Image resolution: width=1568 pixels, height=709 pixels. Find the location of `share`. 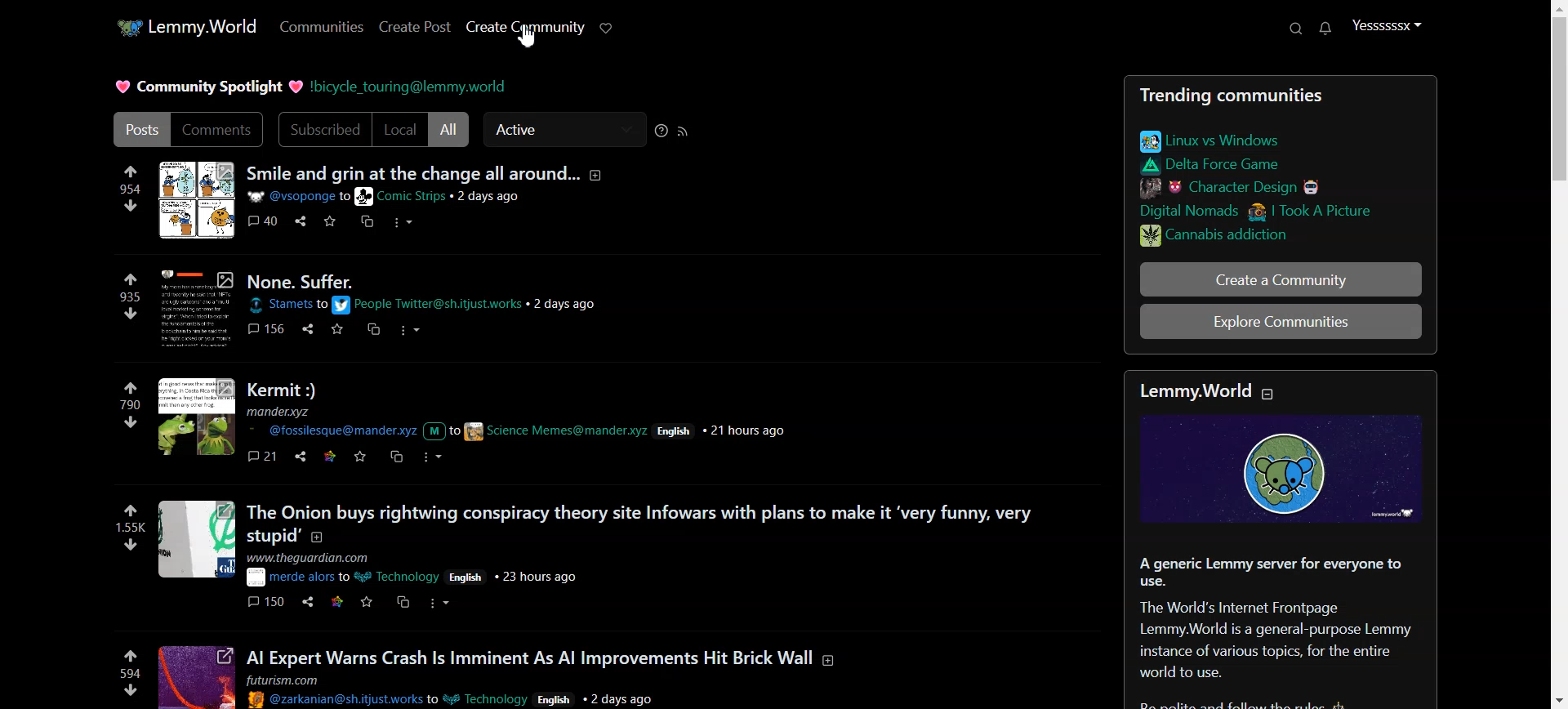

share is located at coordinates (307, 602).